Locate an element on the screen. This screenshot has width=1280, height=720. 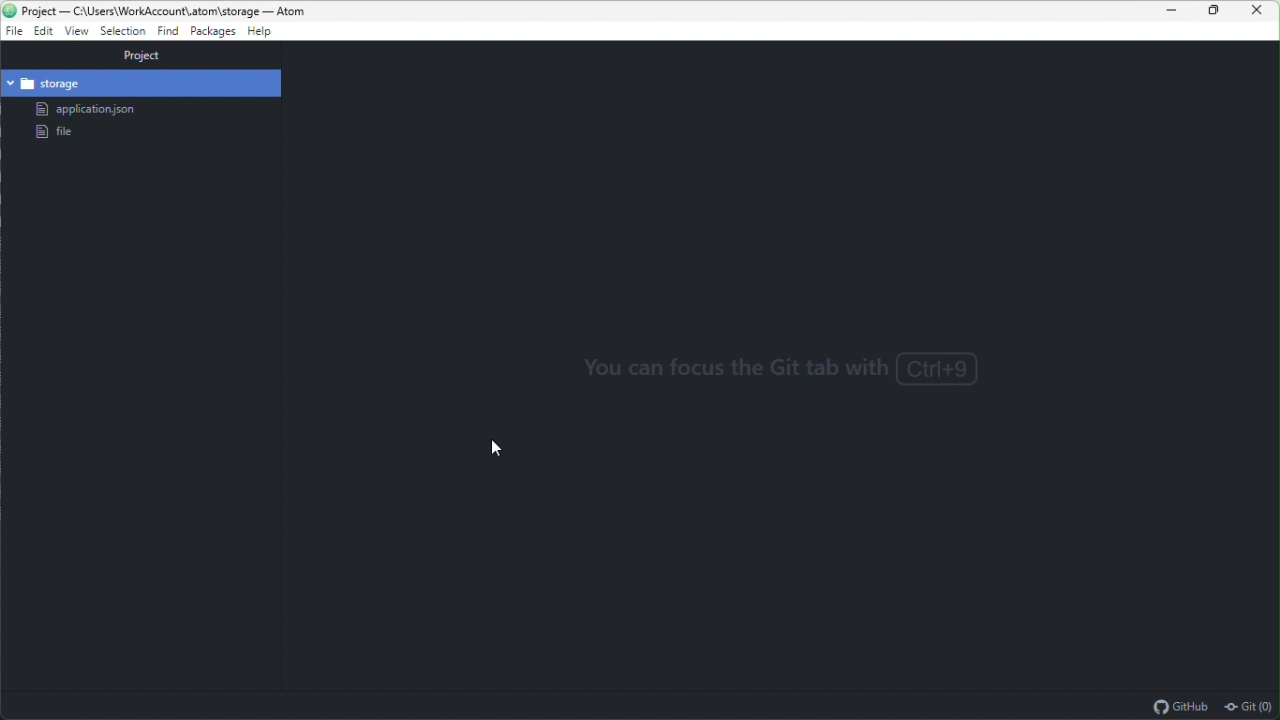
Mouse pointer is located at coordinates (494, 450).